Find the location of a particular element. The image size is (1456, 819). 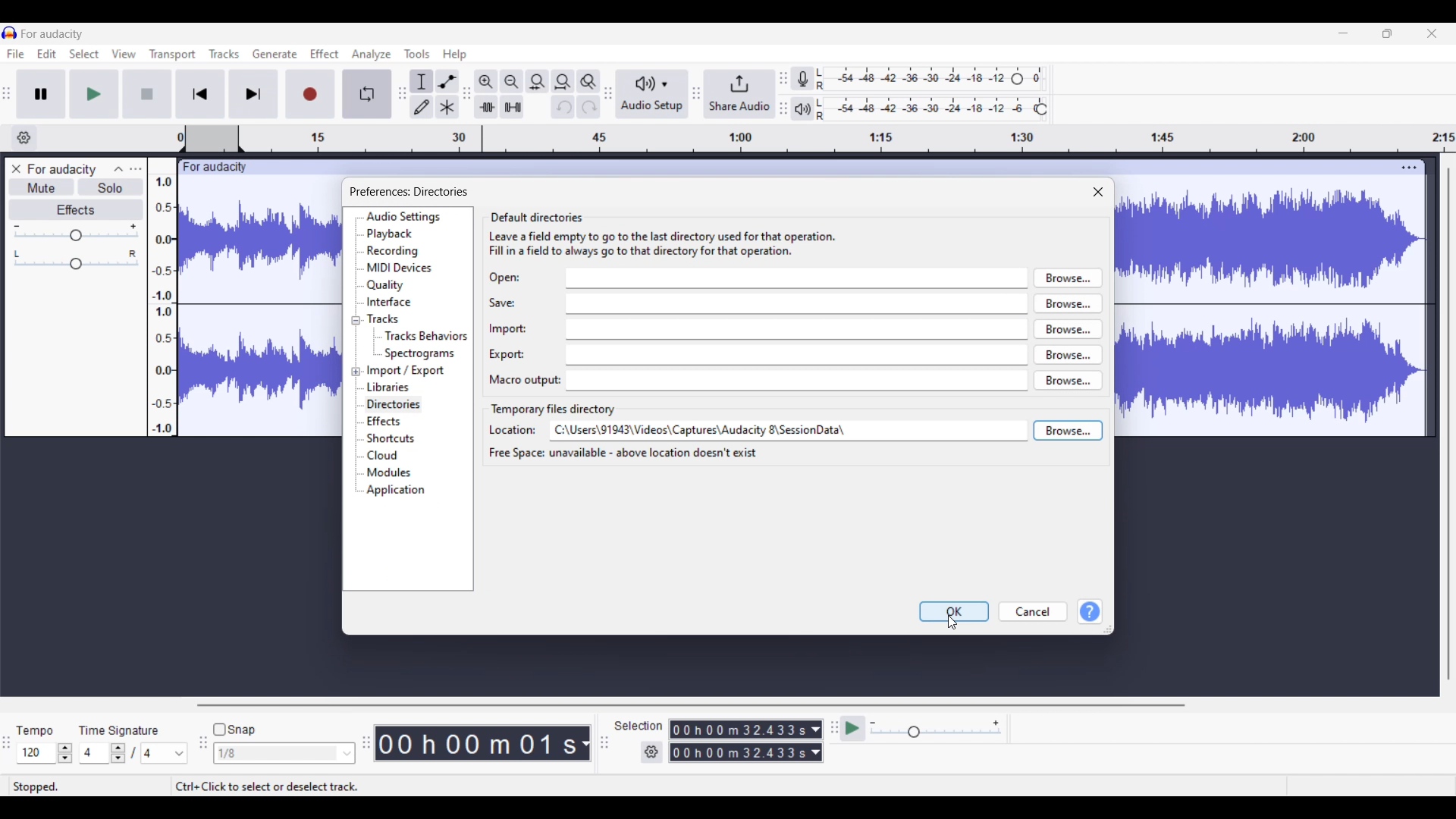

Selection duration is located at coordinates (739, 741).